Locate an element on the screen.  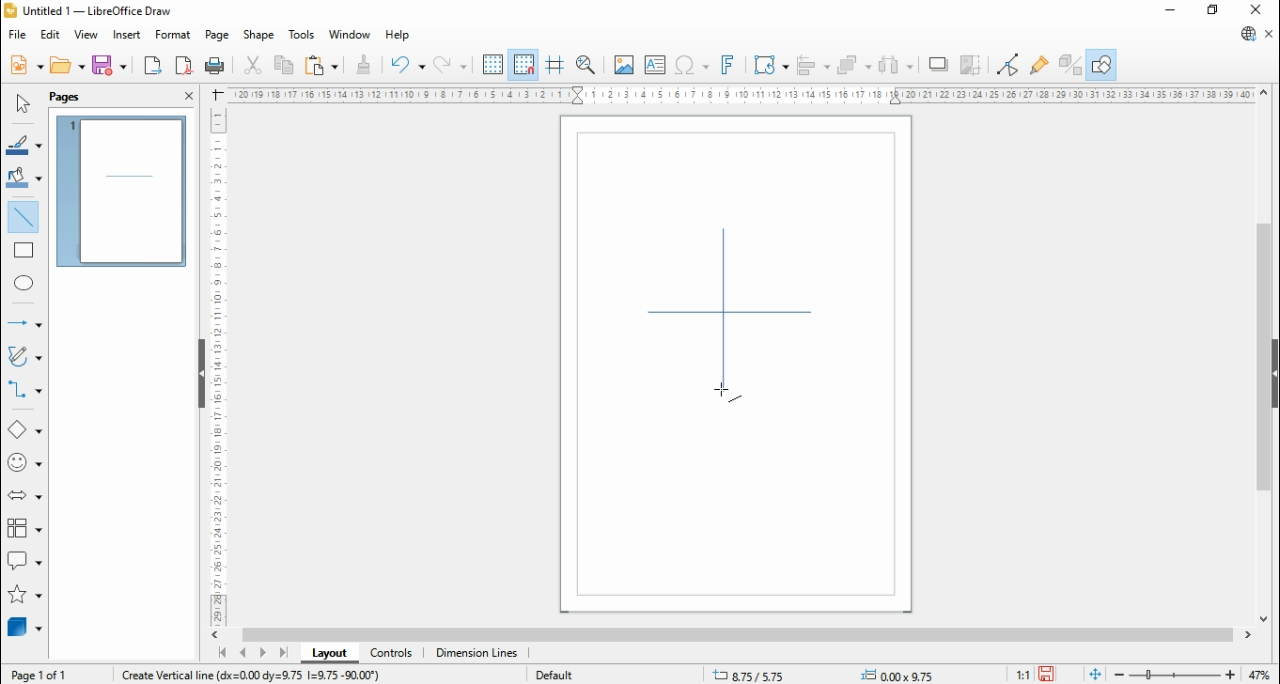
flowchart is located at coordinates (24, 529).